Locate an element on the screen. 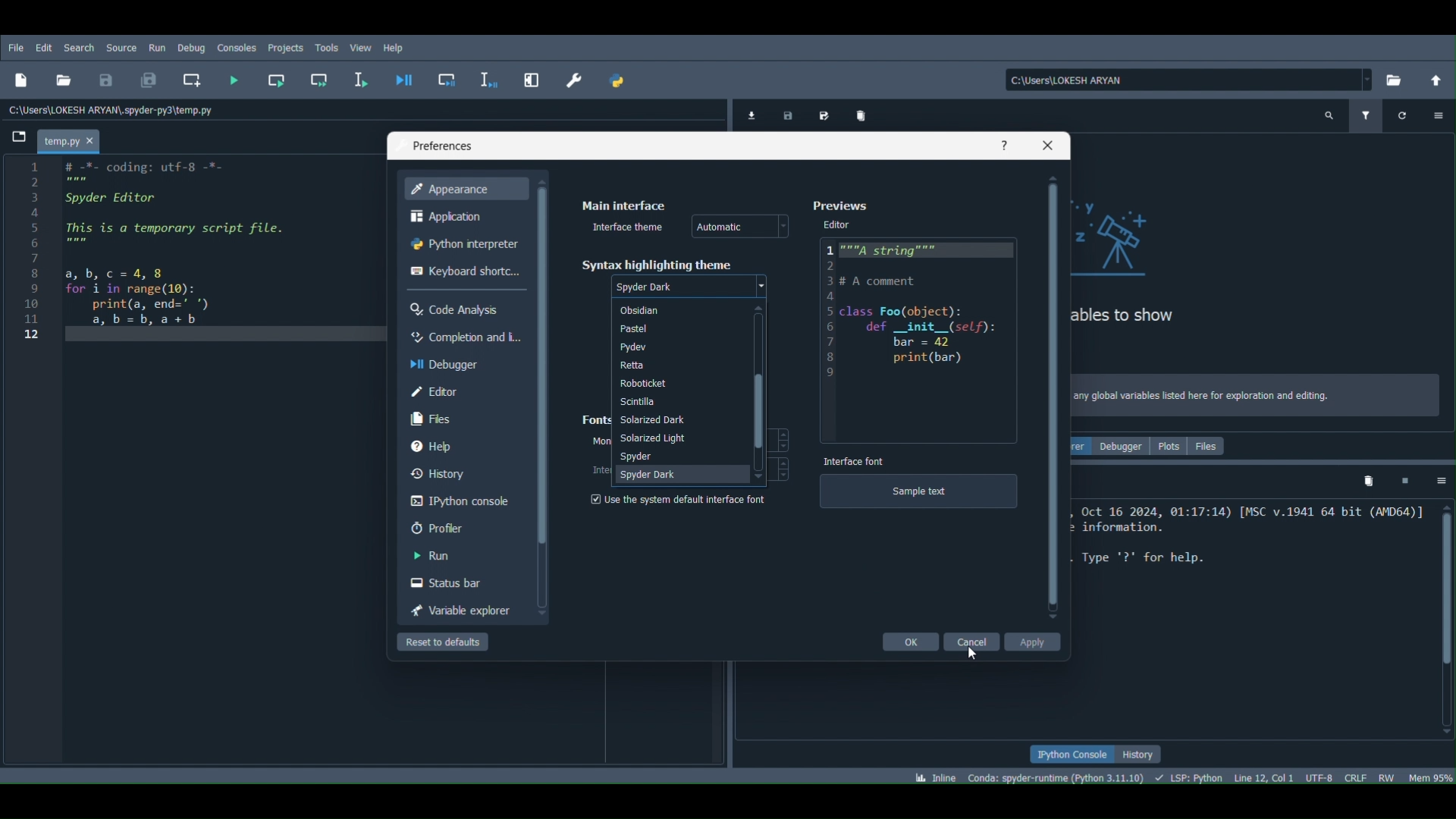 This screenshot has height=819, width=1456. Change to parent directory is located at coordinates (1436, 78).